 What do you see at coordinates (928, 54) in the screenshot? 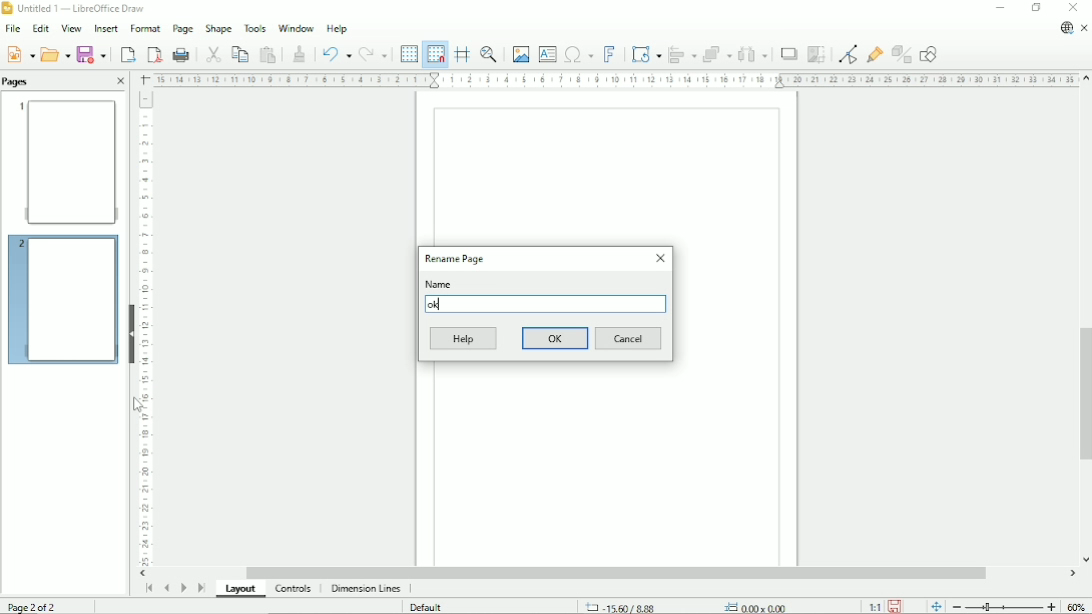
I see `Show draw functions` at bounding box center [928, 54].